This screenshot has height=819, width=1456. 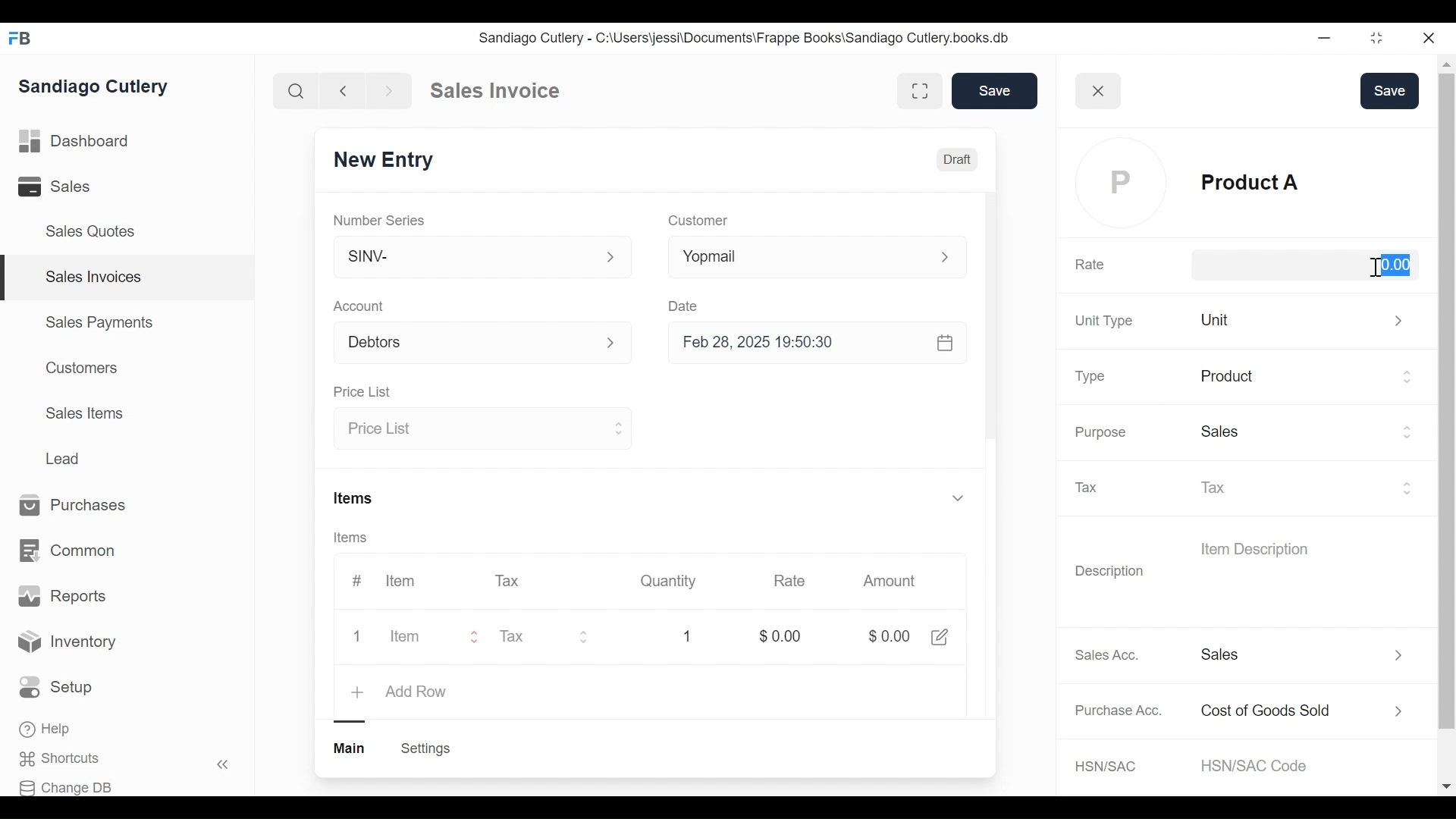 What do you see at coordinates (822, 345) in the screenshot?
I see `Feb 28, 2025 19:50:30 &` at bounding box center [822, 345].